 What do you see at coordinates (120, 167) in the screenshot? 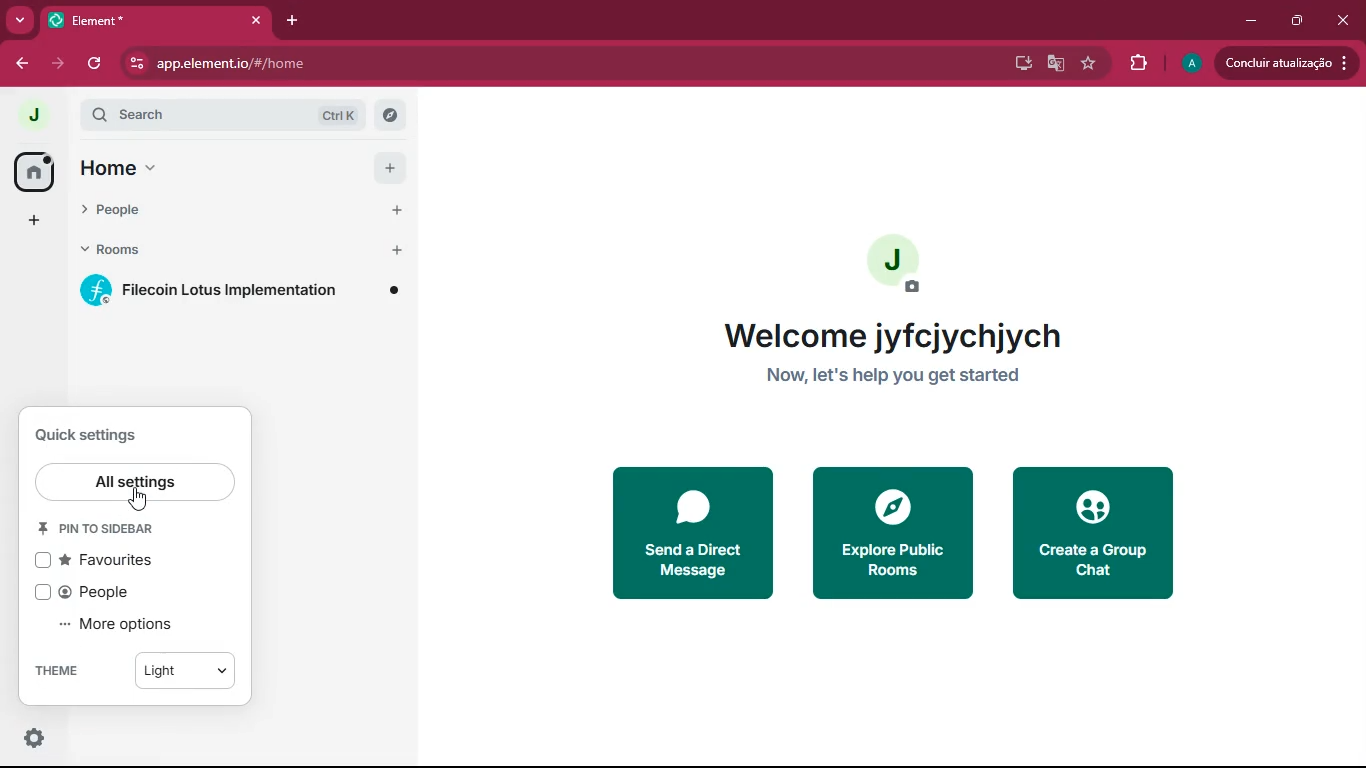
I see `home` at bounding box center [120, 167].